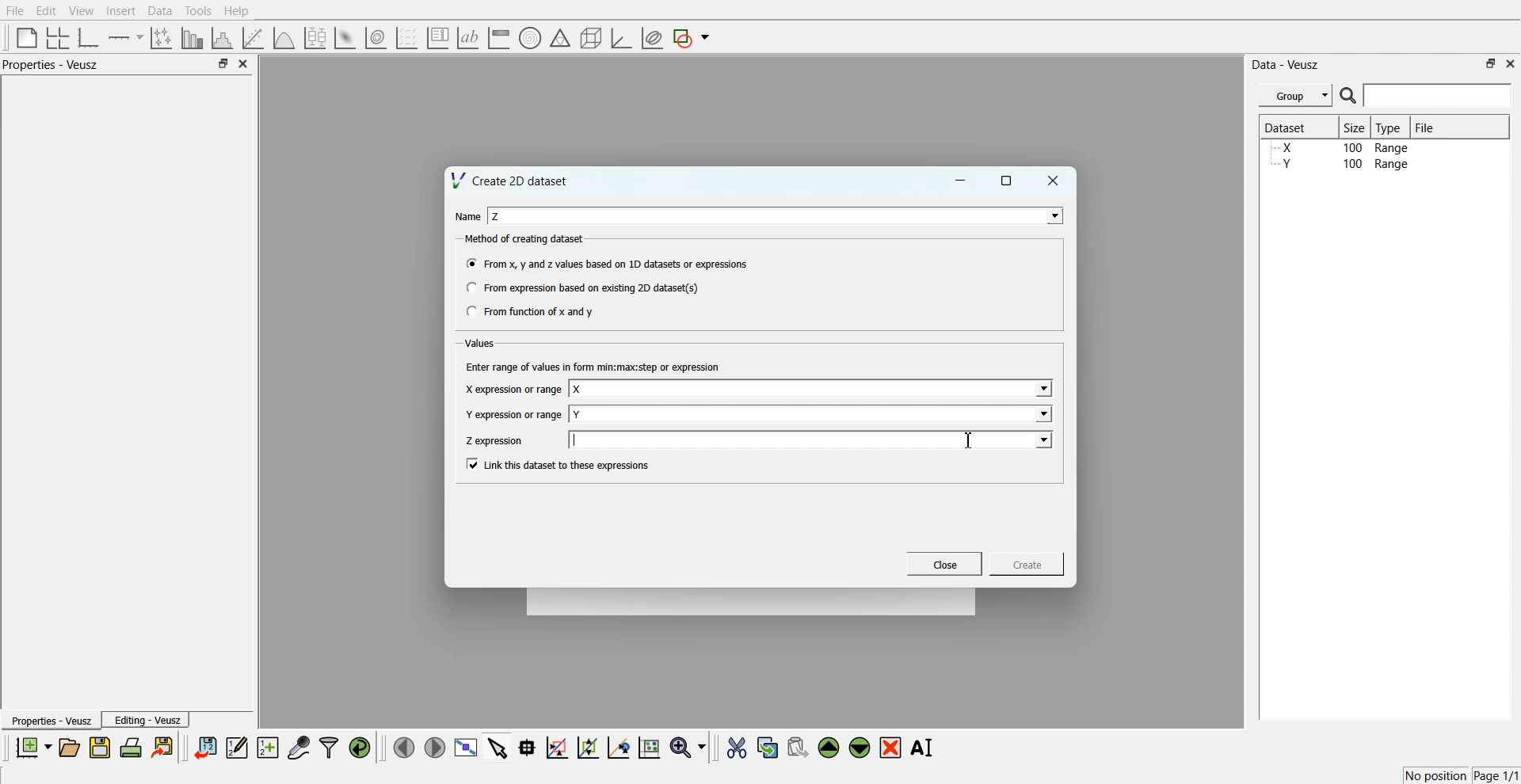 The width and height of the screenshot is (1521, 784). What do you see at coordinates (496, 441) in the screenshot?
I see `}  Zexpression` at bounding box center [496, 441].